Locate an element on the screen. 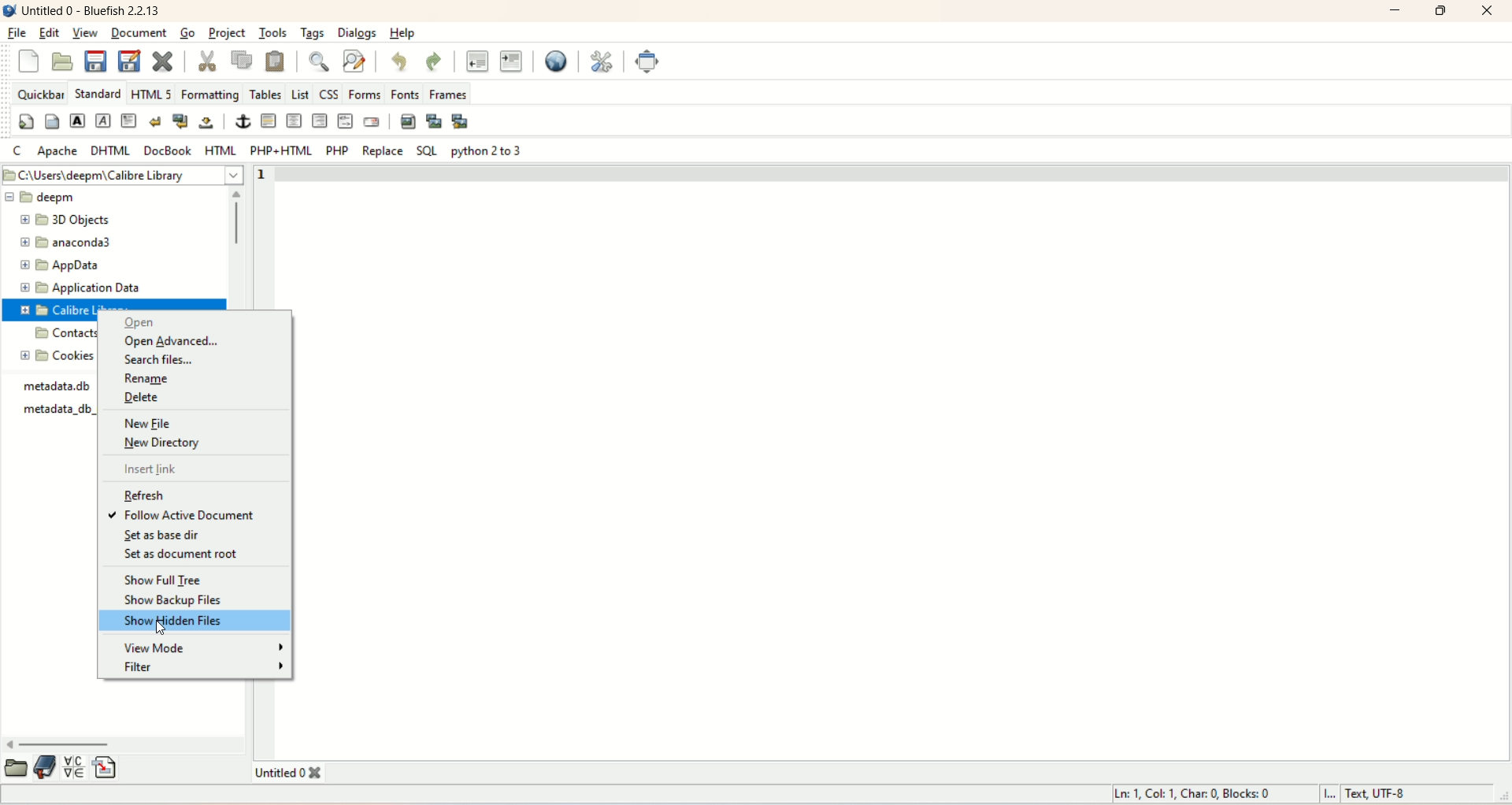 This screenshot has width=1512, height=805. HTML 5 is located at coordinates (152, 93).